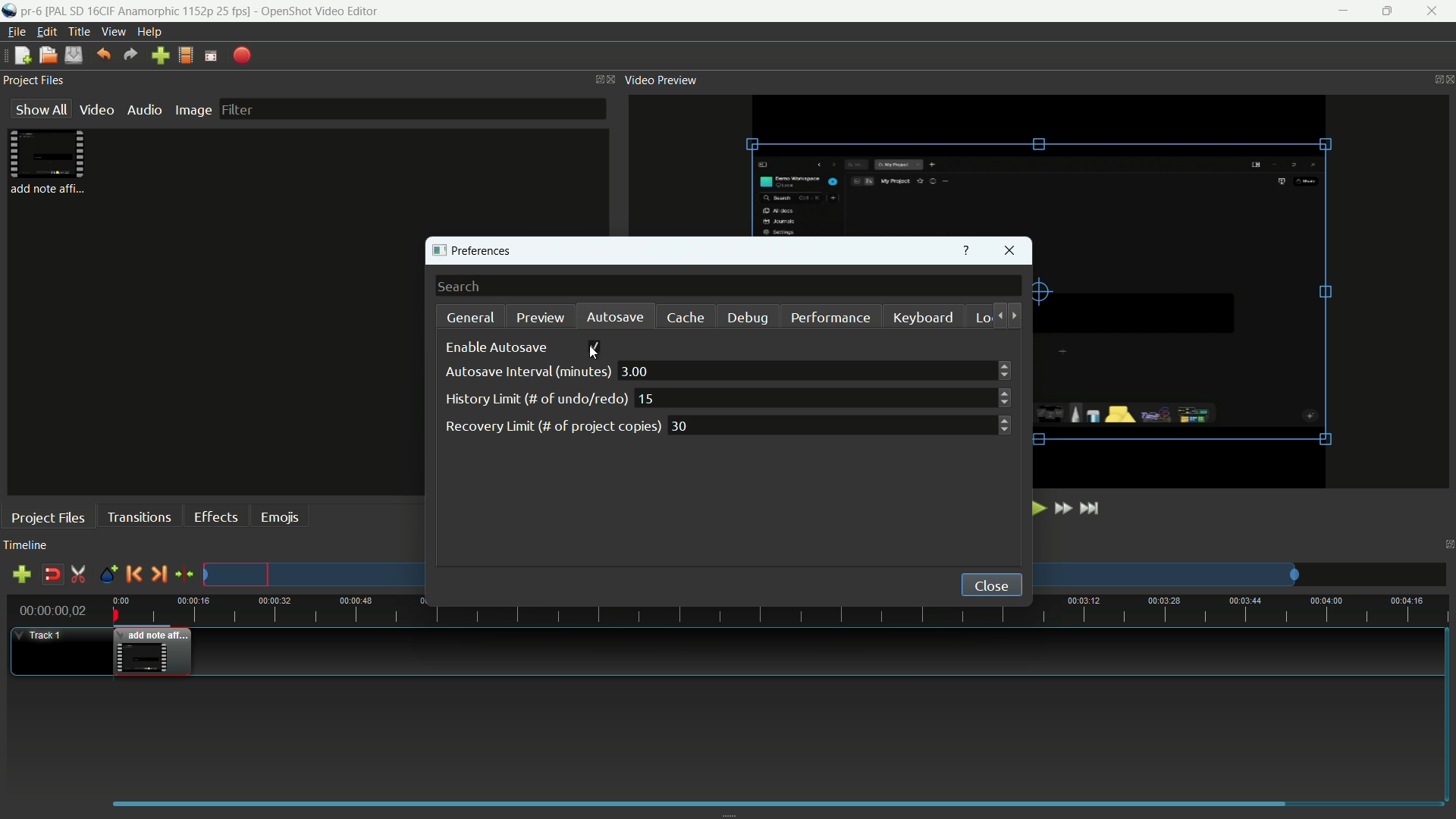 The width and height of the screenshot is (1456, 819). What do you see at coordinates (152, 652) in the screenshot?
I see `video in timeline` at bounding box center [152, 652].